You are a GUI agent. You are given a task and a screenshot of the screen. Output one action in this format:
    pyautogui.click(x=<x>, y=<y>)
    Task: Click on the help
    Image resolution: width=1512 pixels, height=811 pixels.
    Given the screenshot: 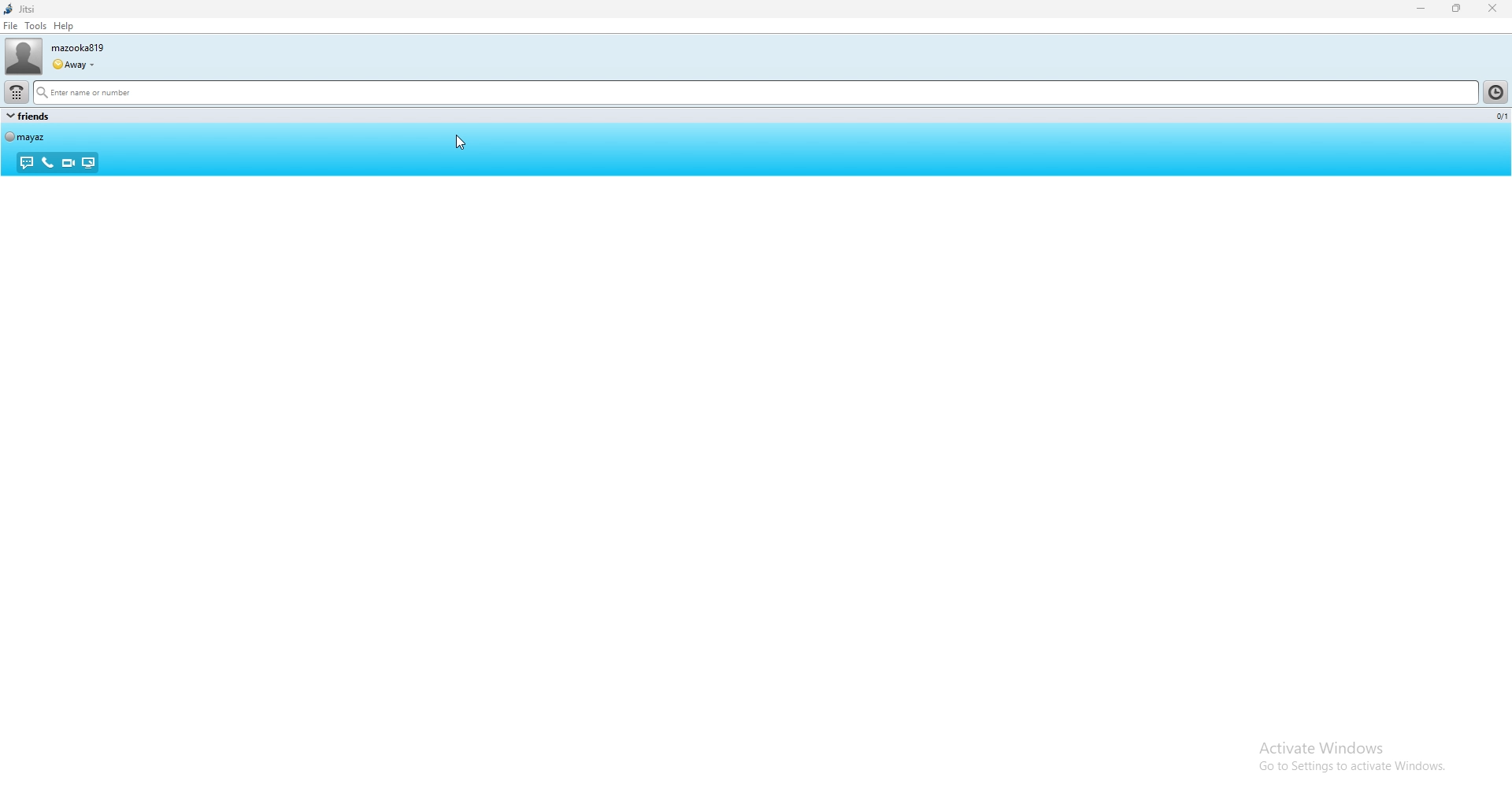 What is the action you would take?
    pyautogui.click(x=62, y=26)
    